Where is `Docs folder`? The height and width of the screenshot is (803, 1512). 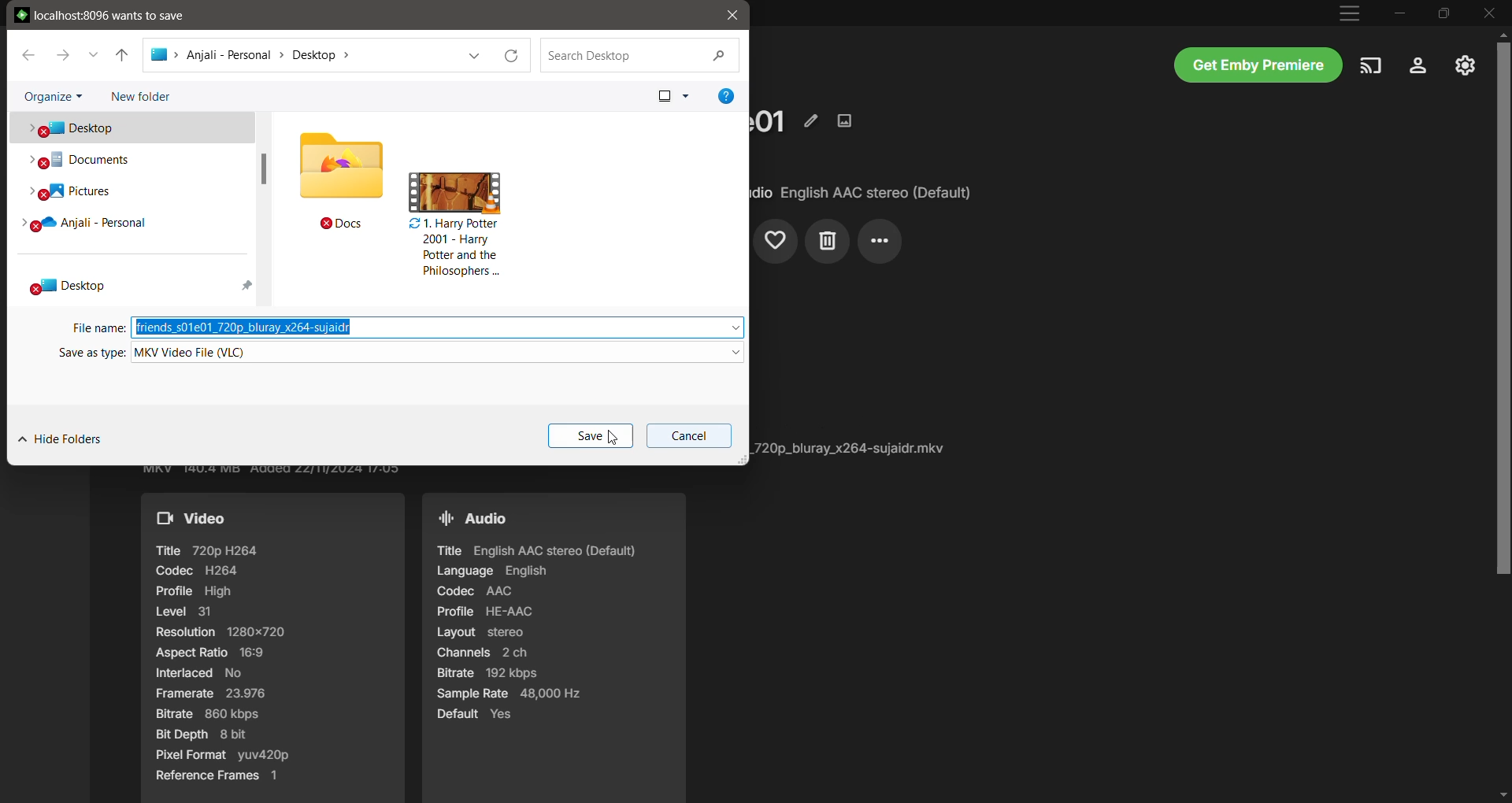
Docs folder is located at coordinates (342, 182).